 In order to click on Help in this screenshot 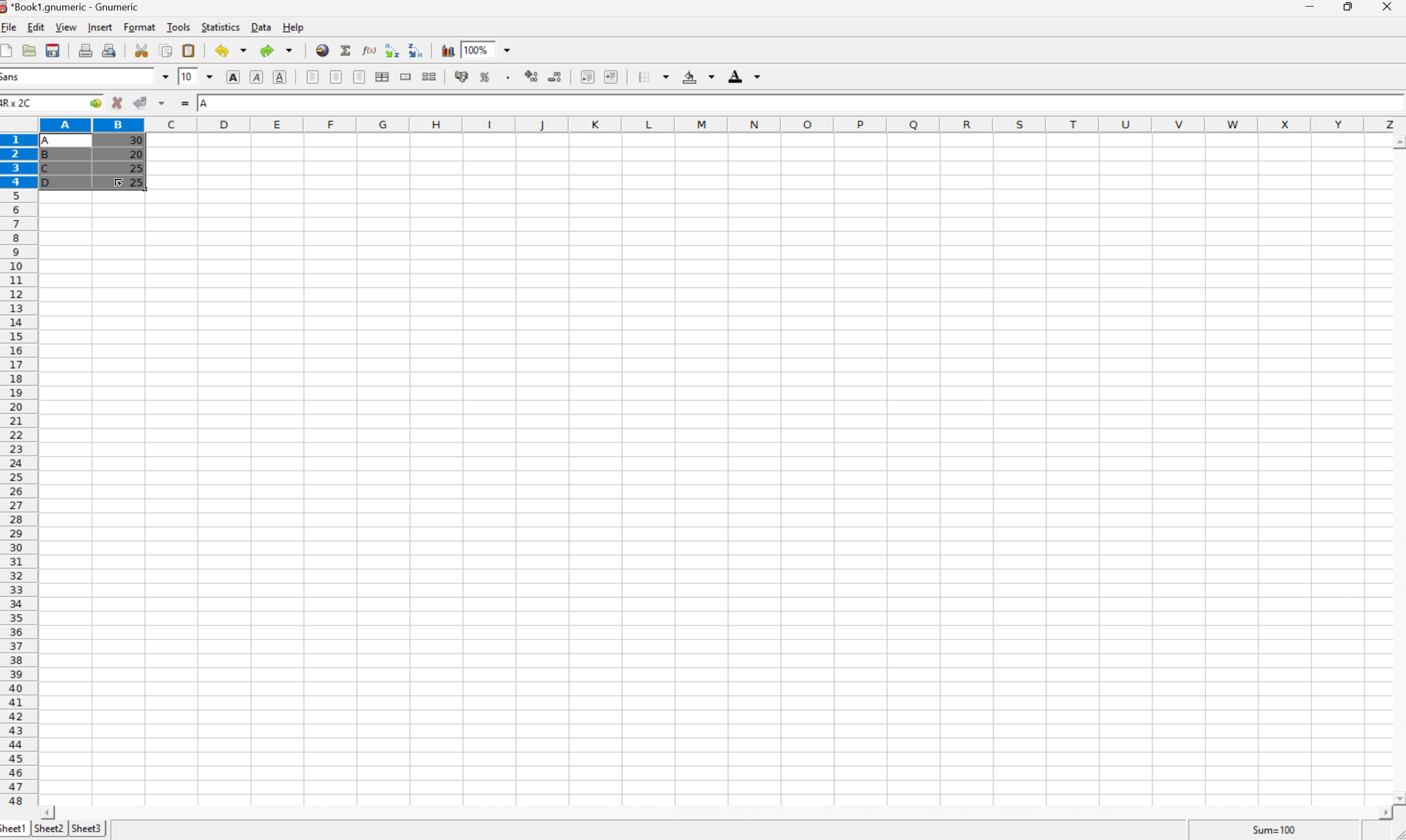, I will do `click(294, 27)`.